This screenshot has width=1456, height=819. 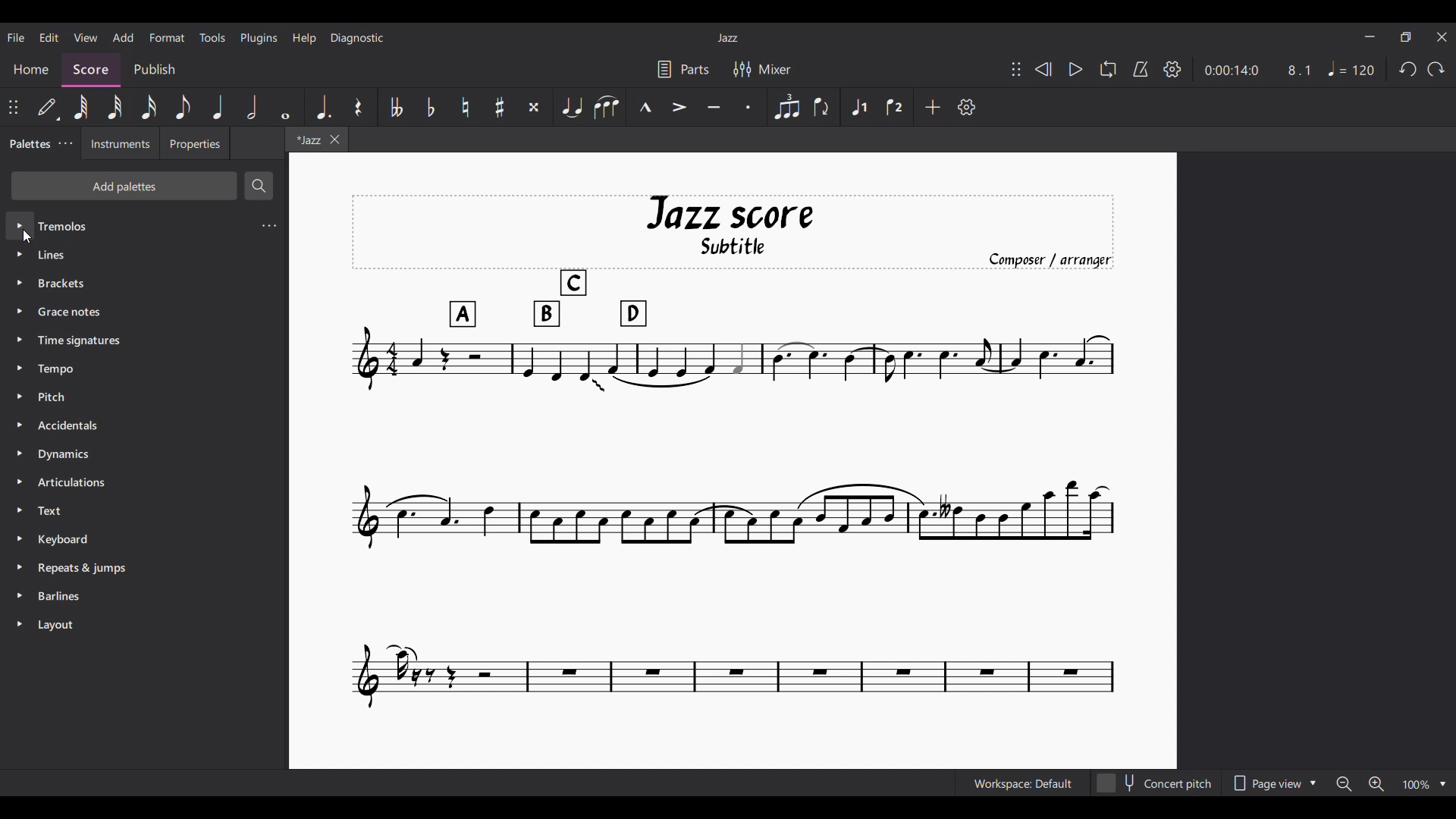 I want to click on Palette settings, so click(x=66, y=143).